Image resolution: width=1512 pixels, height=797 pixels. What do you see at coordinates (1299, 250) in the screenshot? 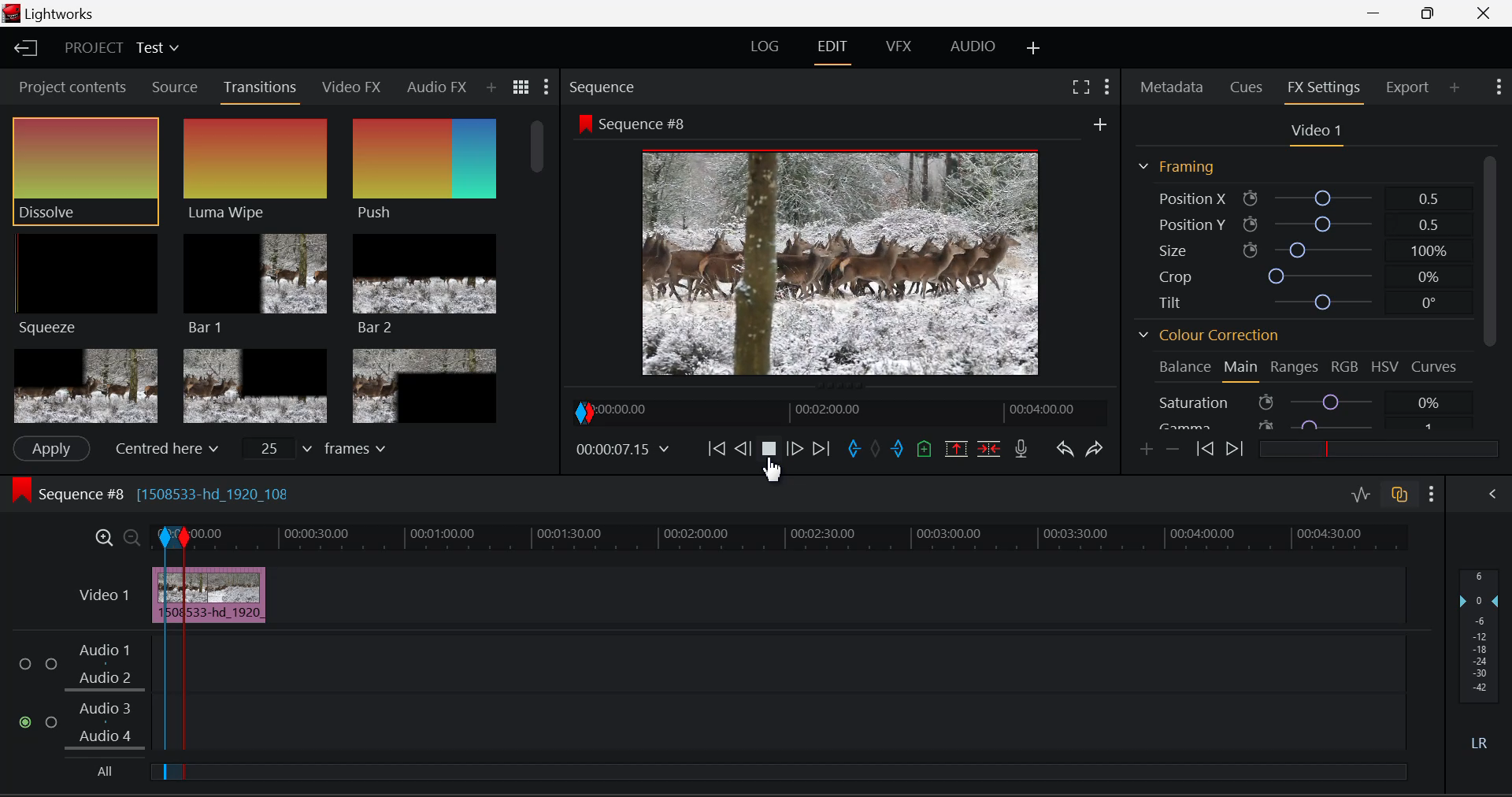
I see `Size` at bounding box center [1299, 250].